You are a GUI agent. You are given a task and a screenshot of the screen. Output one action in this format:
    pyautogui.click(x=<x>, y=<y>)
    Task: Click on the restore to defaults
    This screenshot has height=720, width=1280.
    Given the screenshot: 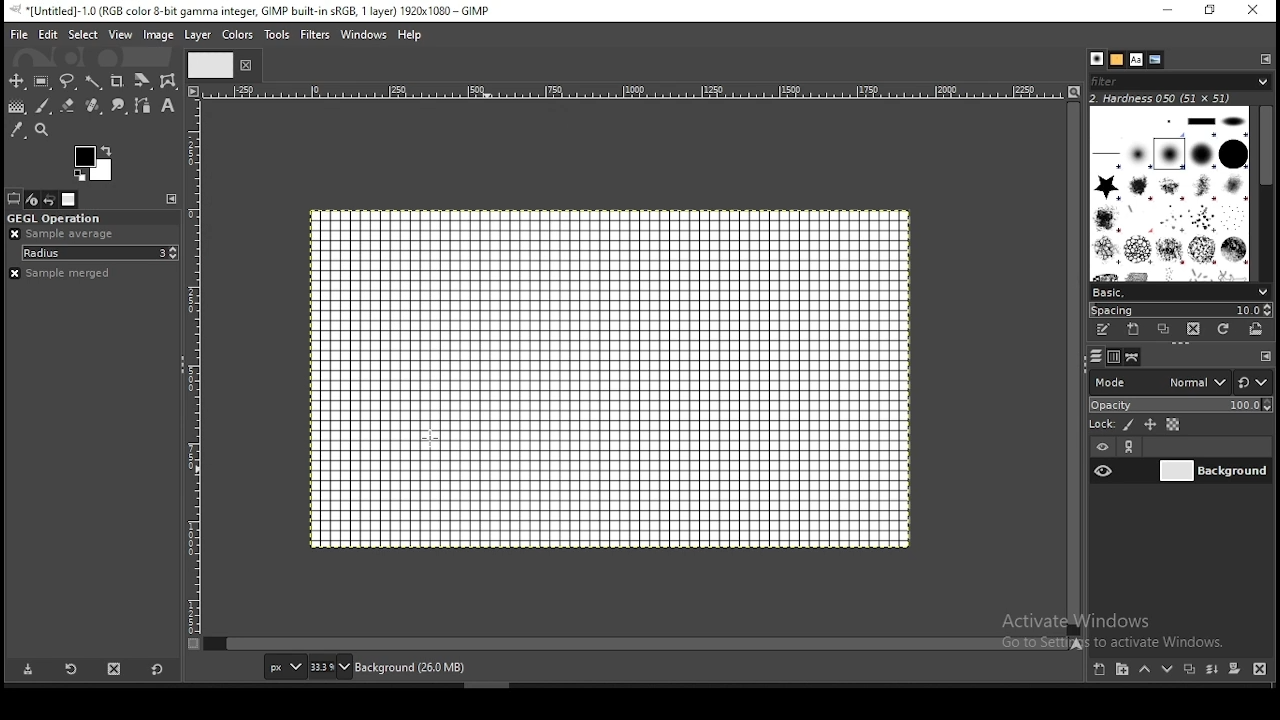 What is the action you would take?
    pyautogui.click(x=160, y=669)
    